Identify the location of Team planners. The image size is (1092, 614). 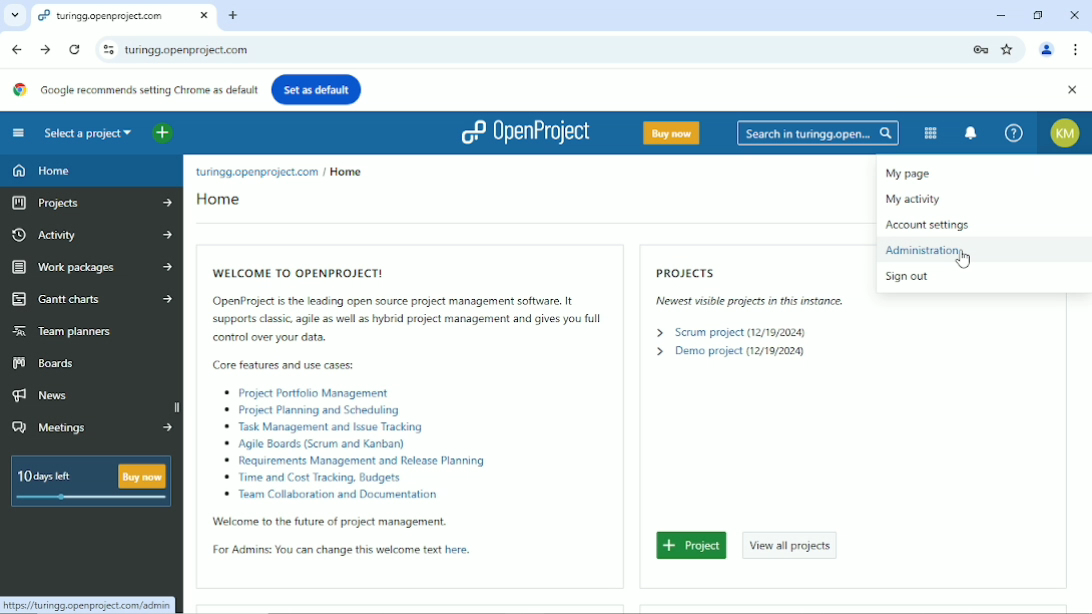
(62, 330).